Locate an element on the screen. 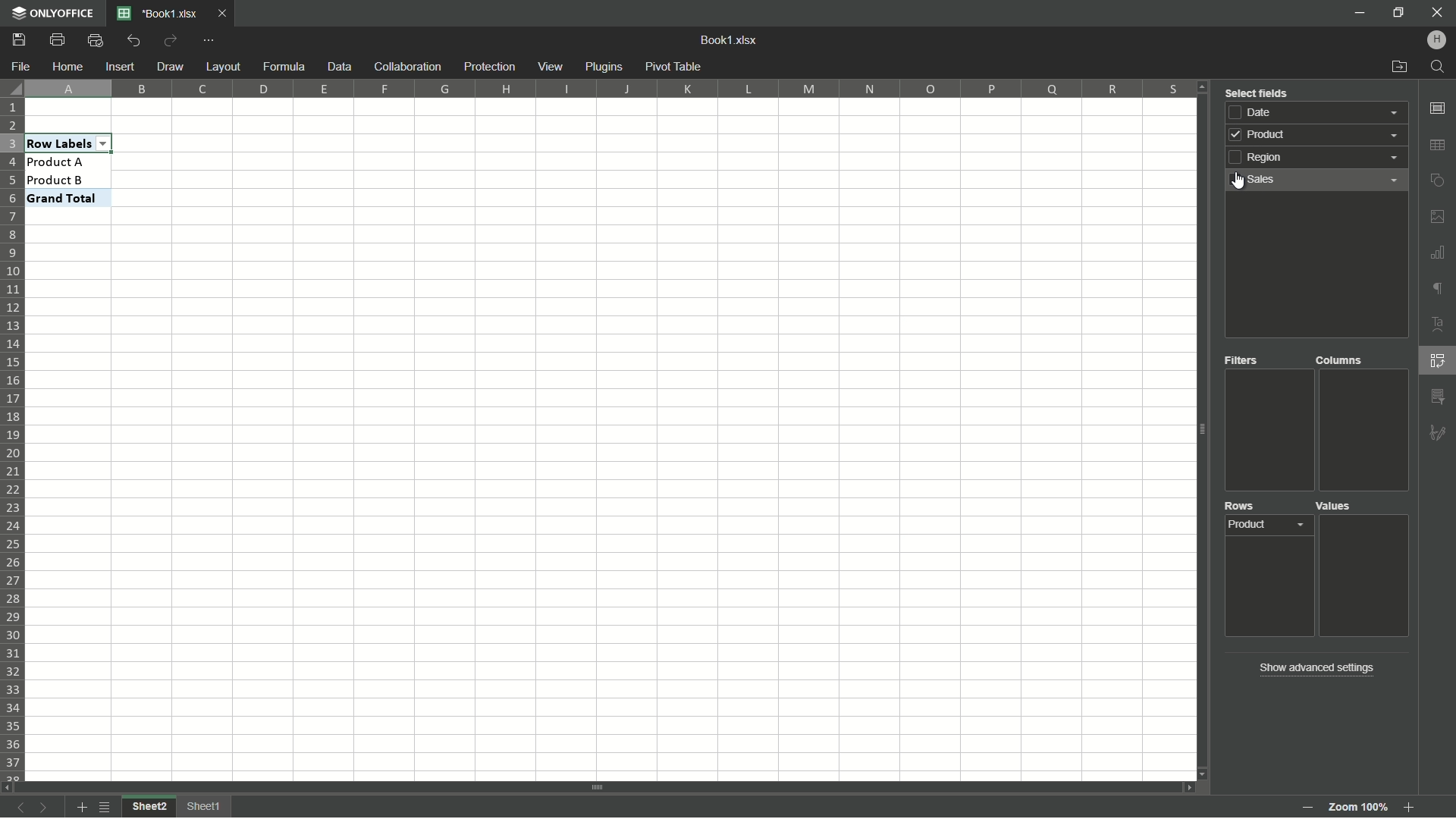 The width and height of the screenshot is (1456, 819). sheet1 is located at coordinates (207, 806).